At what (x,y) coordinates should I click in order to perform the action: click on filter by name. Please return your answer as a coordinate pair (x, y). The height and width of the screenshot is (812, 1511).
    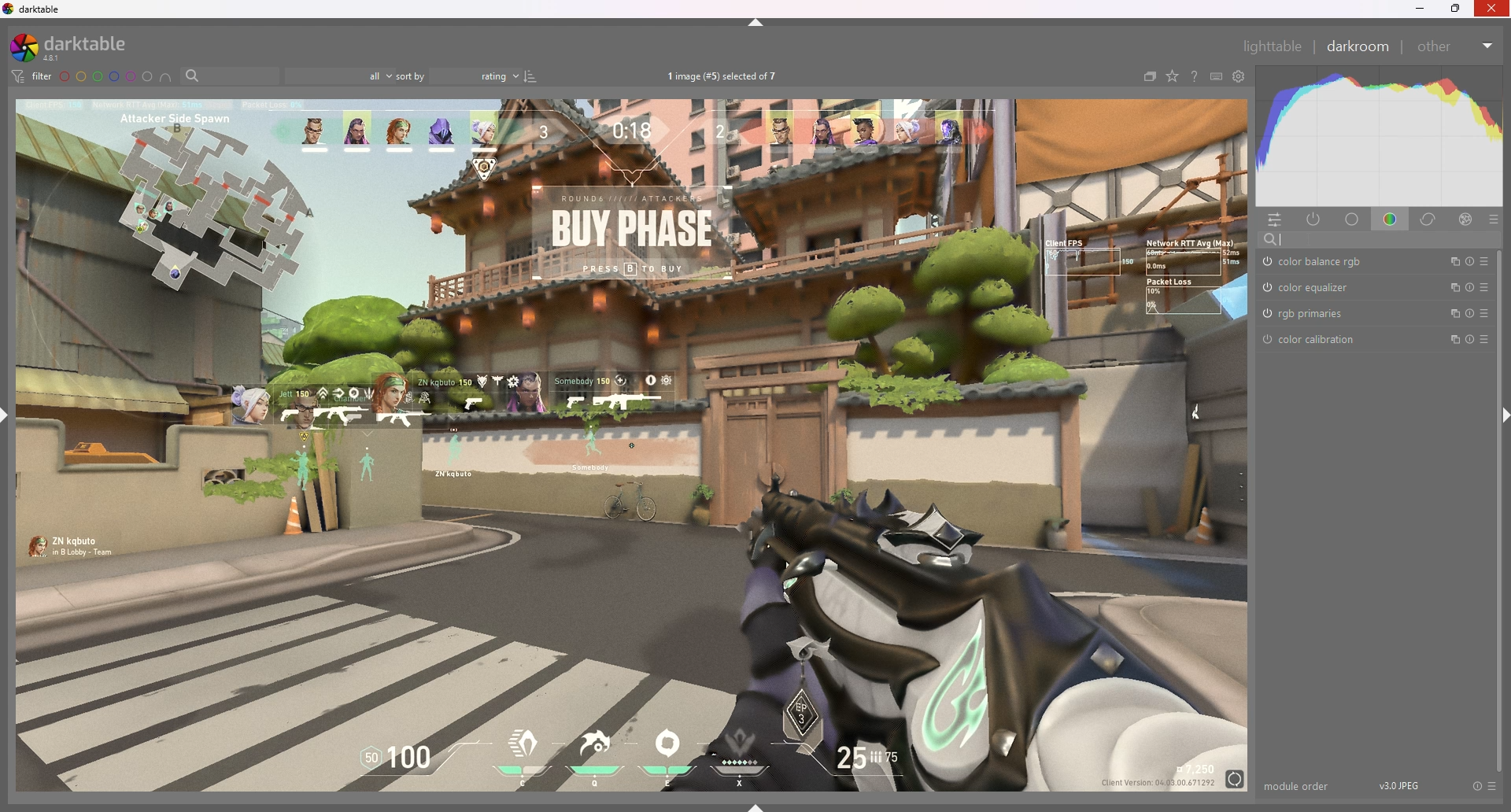
    Looking at the image, I should click on (230, 75).